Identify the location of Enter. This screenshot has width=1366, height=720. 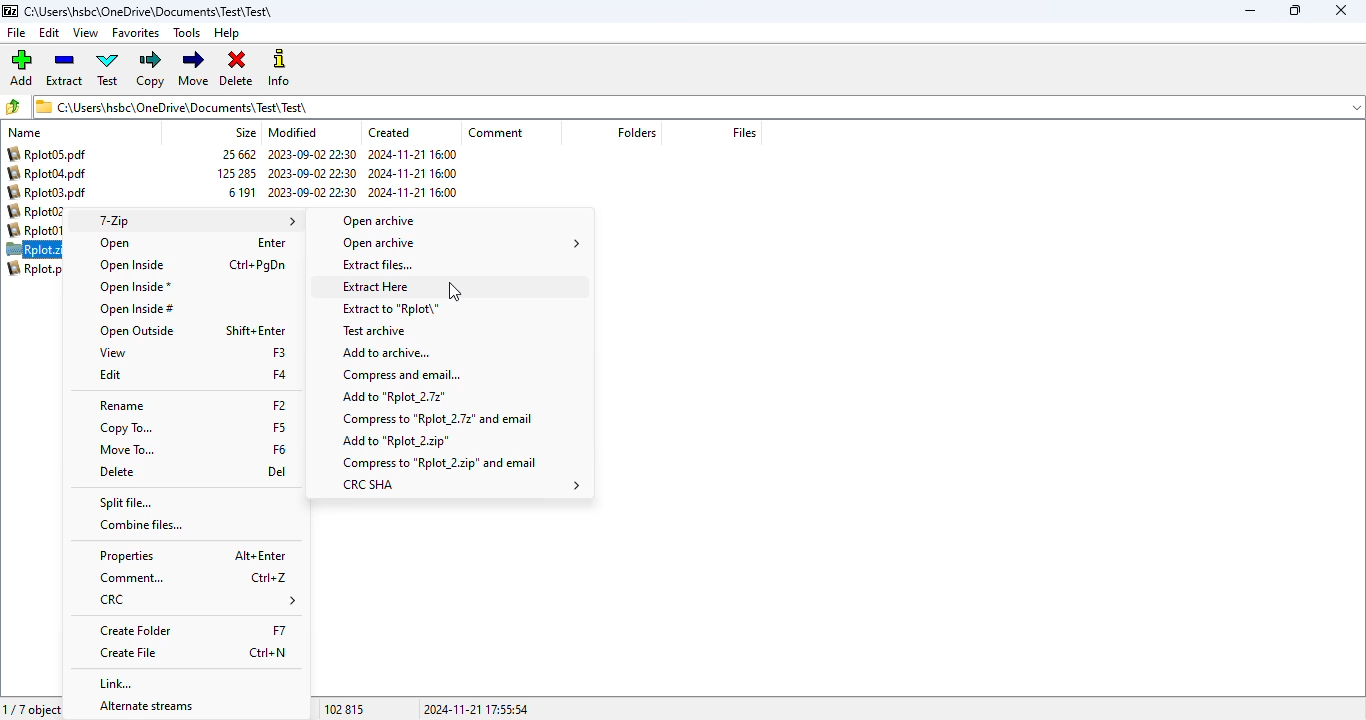
(271, 243).